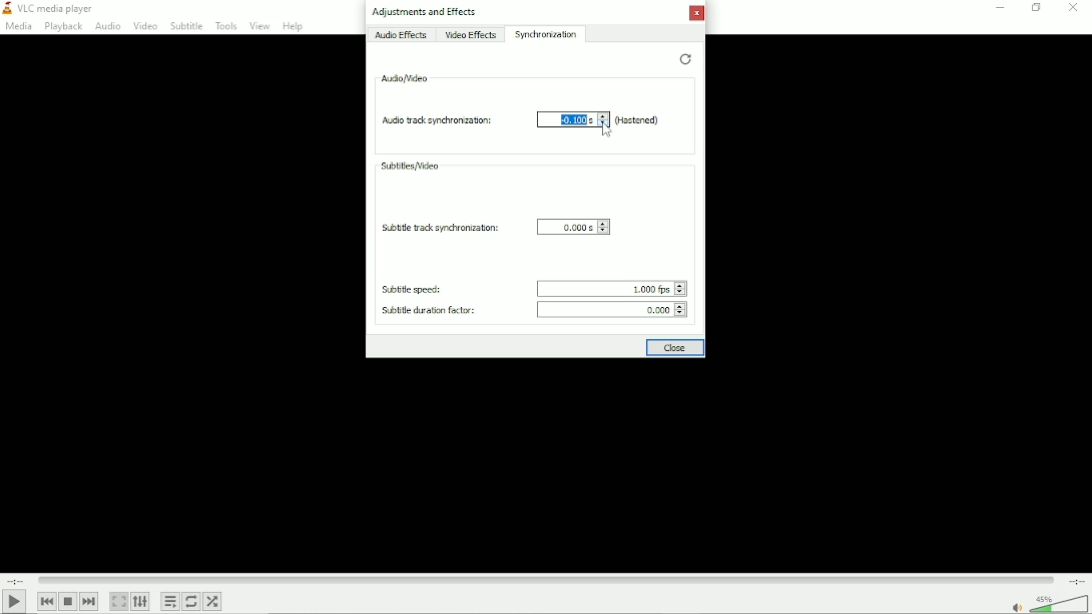 The width and height of the screenshot is (1092, 614). Describe the element at coordinates (144, 26) in the screenshot. I see `Video` at that location.